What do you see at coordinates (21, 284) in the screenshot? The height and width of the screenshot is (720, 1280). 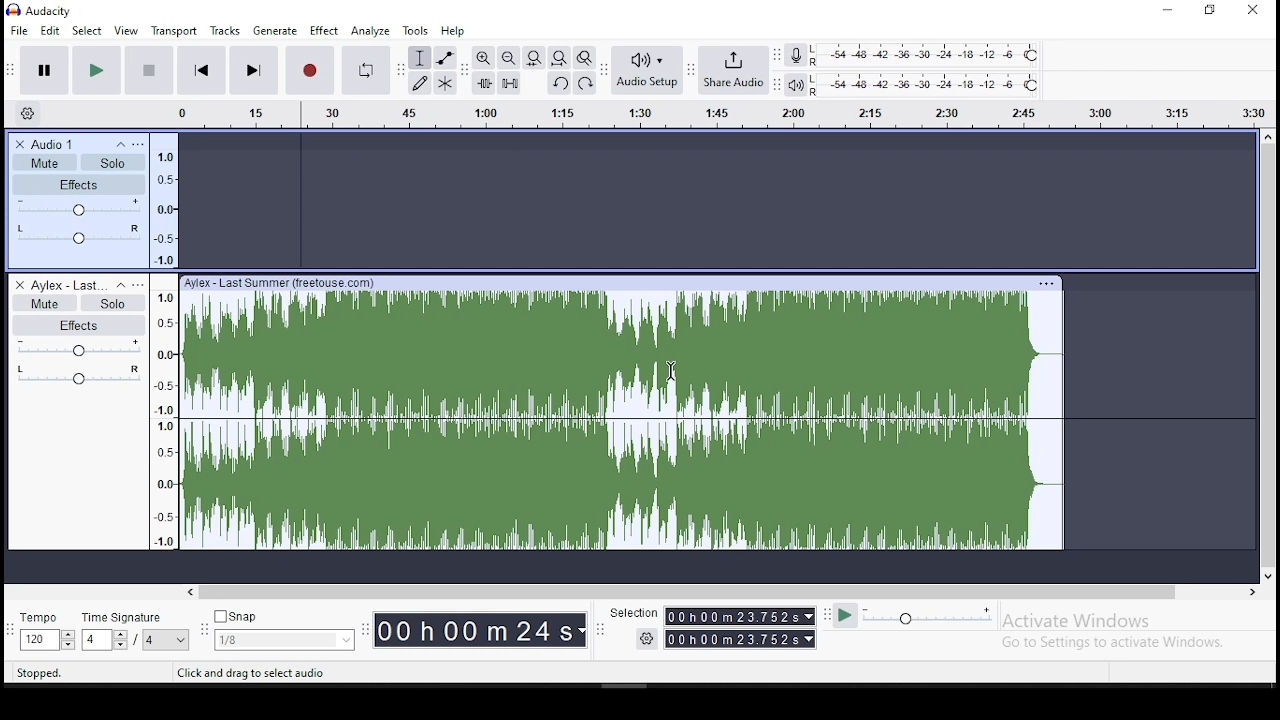 I see `delete track` at bounding box center [21, 284].